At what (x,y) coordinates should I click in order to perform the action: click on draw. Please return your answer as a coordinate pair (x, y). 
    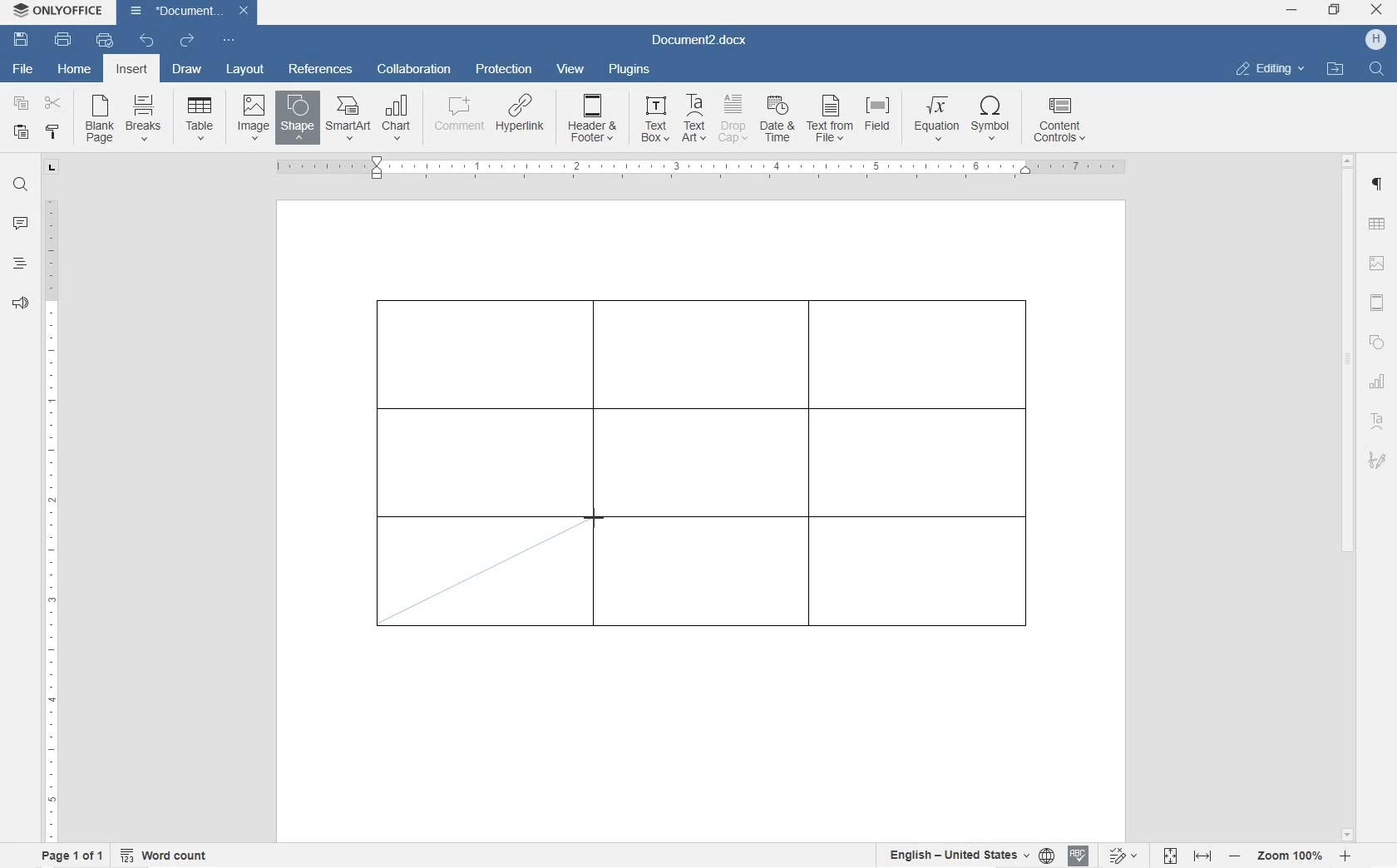
    Looking at the image, I should click on (187, 69).